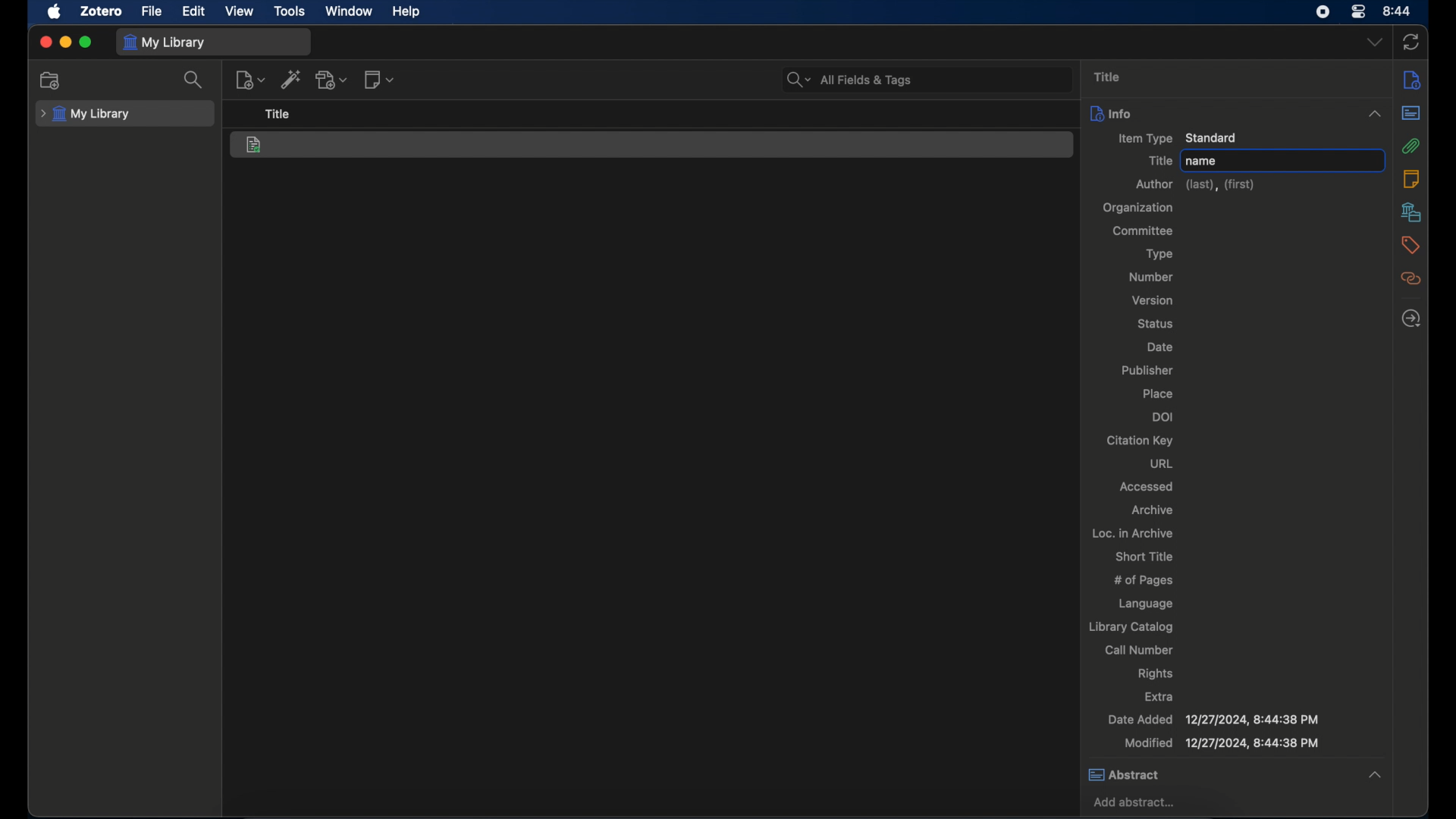 The height and width of the screenshot is (819, 1456). I want to click on standard, so click(256, 146).